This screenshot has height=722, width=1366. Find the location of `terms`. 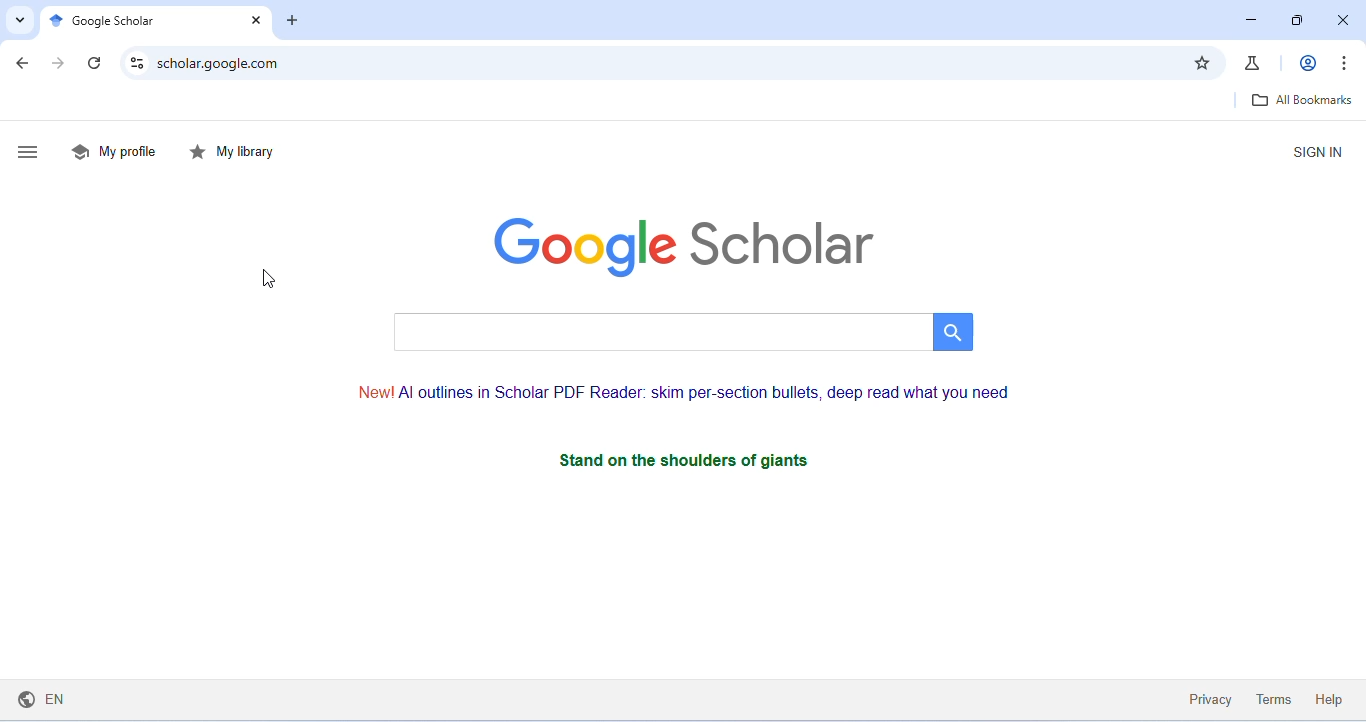

terms is located at coordinates (1271, 697).